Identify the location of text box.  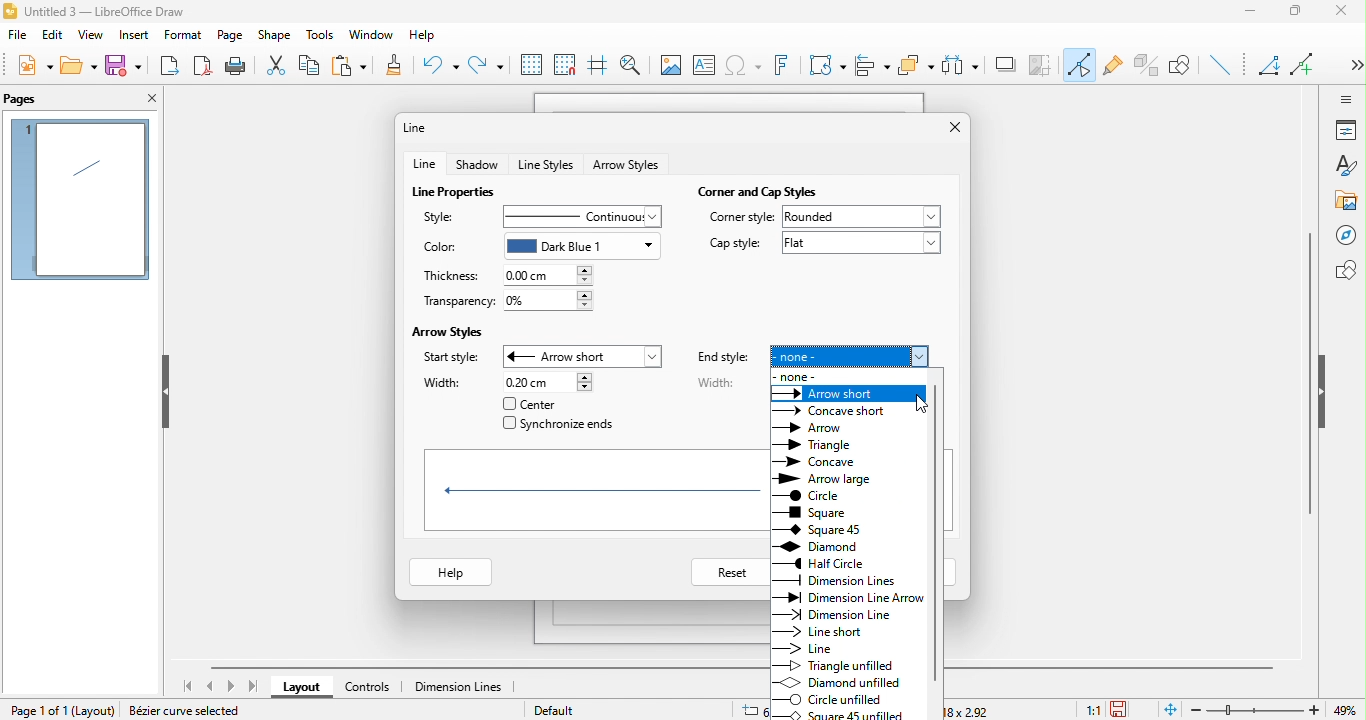
(705, 68).